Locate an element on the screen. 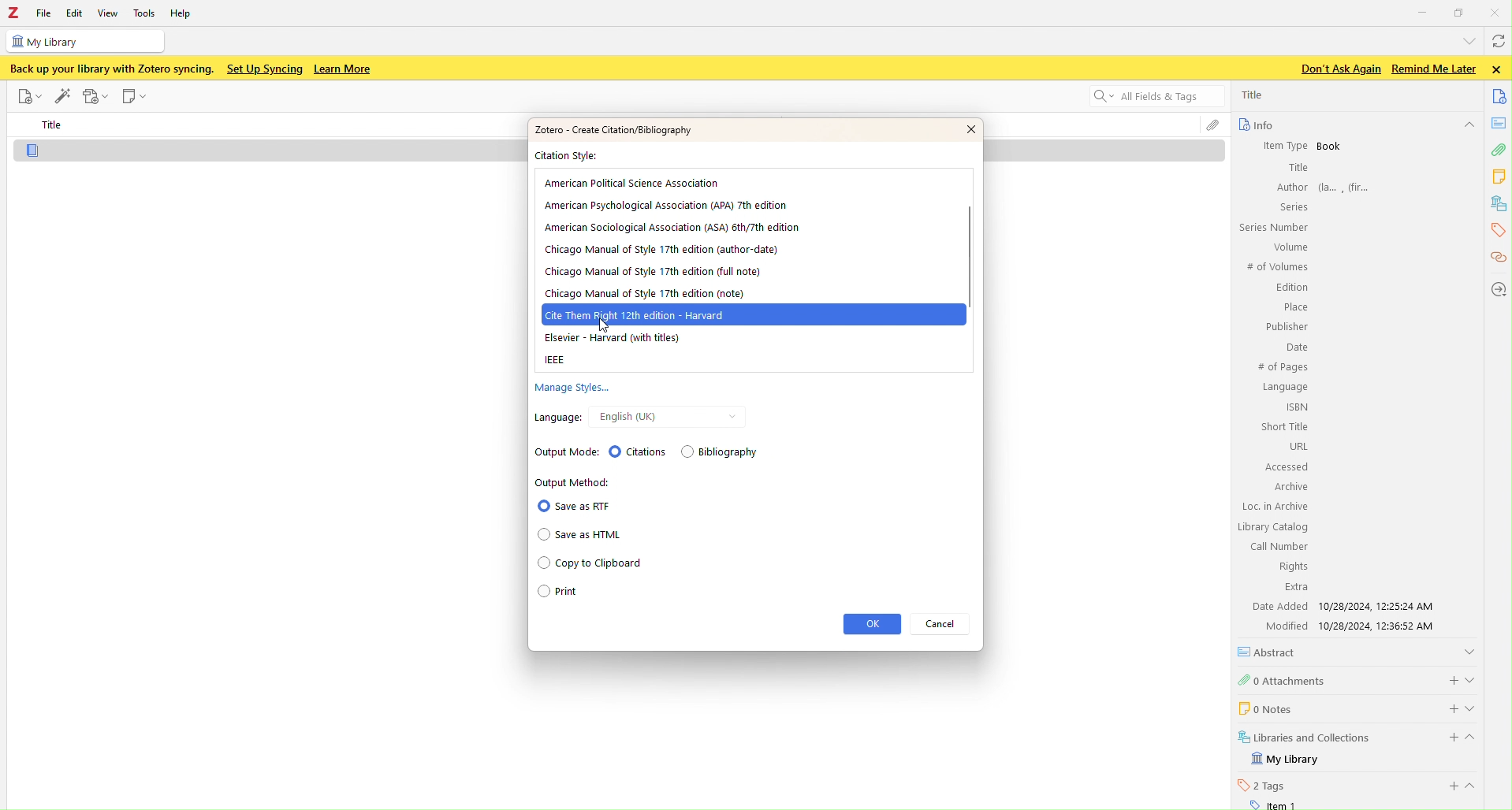 The height and width of the screenshot is (810, 1512). Edit is located at coordinates (73, 13).